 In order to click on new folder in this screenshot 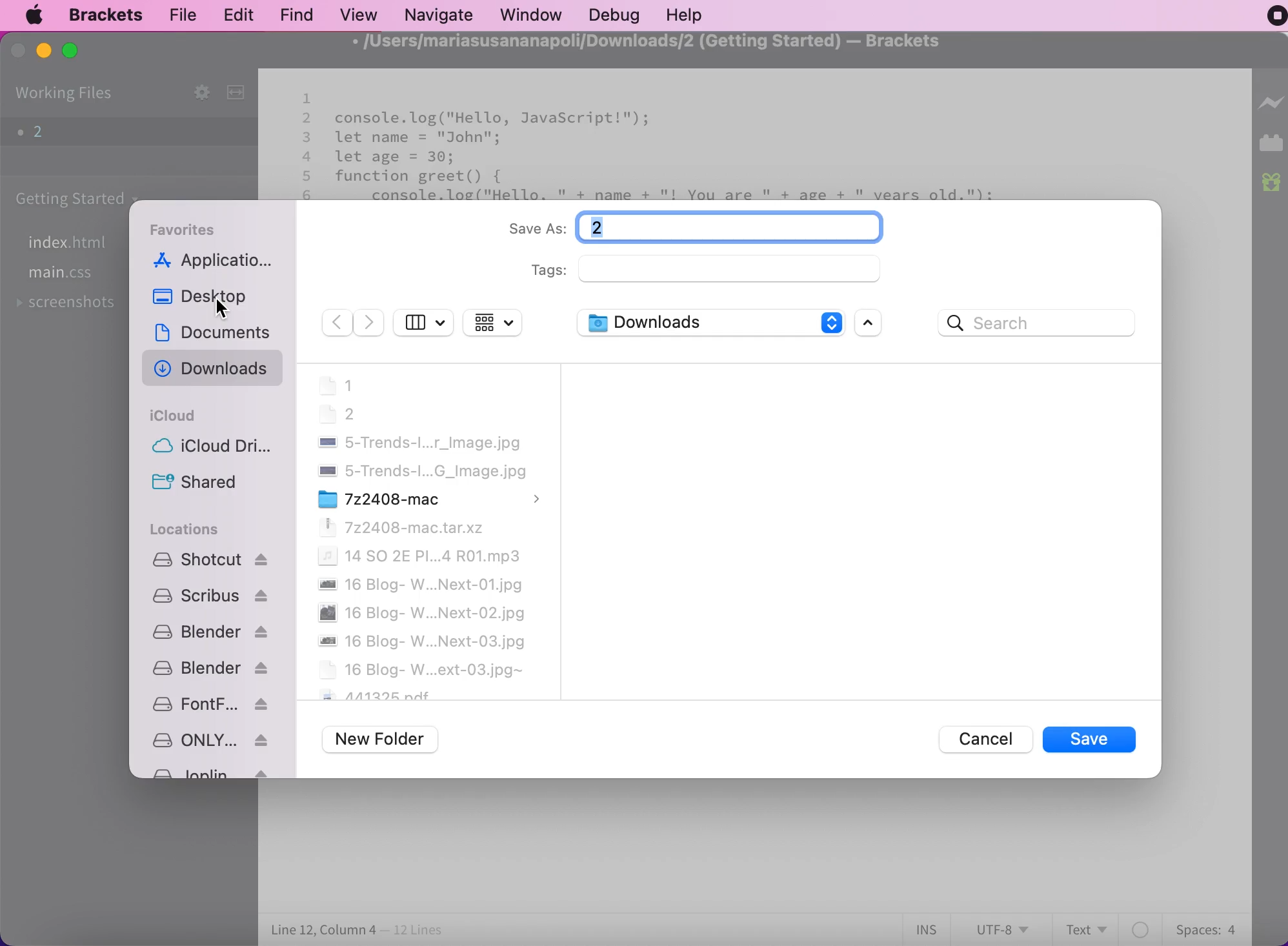, I will do `click(383, 740)`.